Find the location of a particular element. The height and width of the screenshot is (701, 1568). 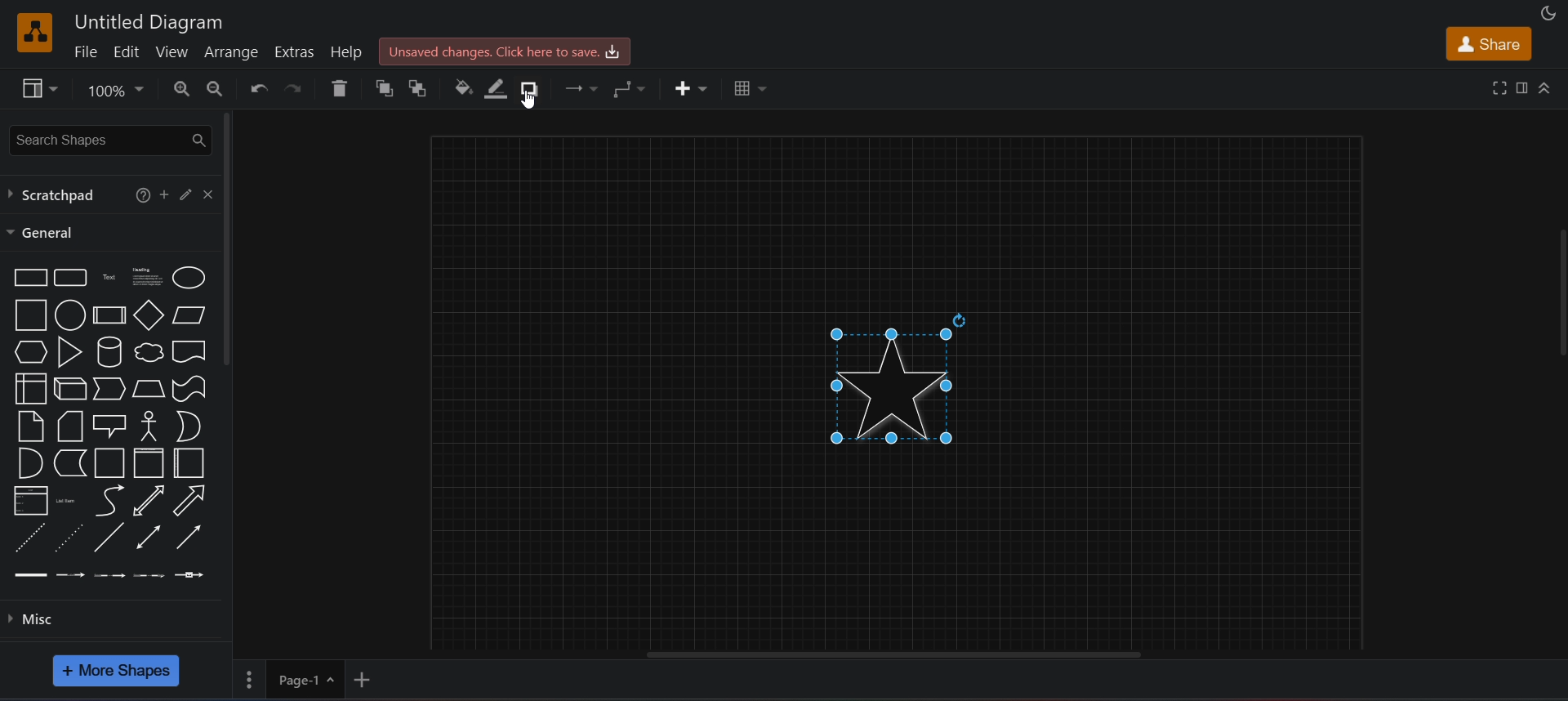

zoom out is located at coordinates (214, 89).